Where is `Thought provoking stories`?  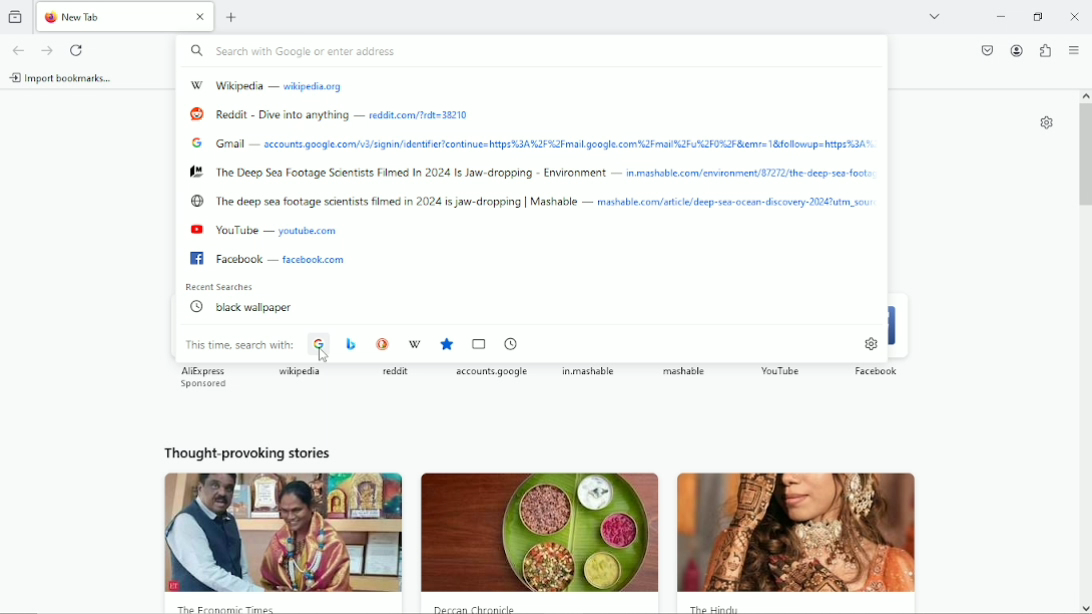
Thought provoking stories is located at coordinates (247, 453).